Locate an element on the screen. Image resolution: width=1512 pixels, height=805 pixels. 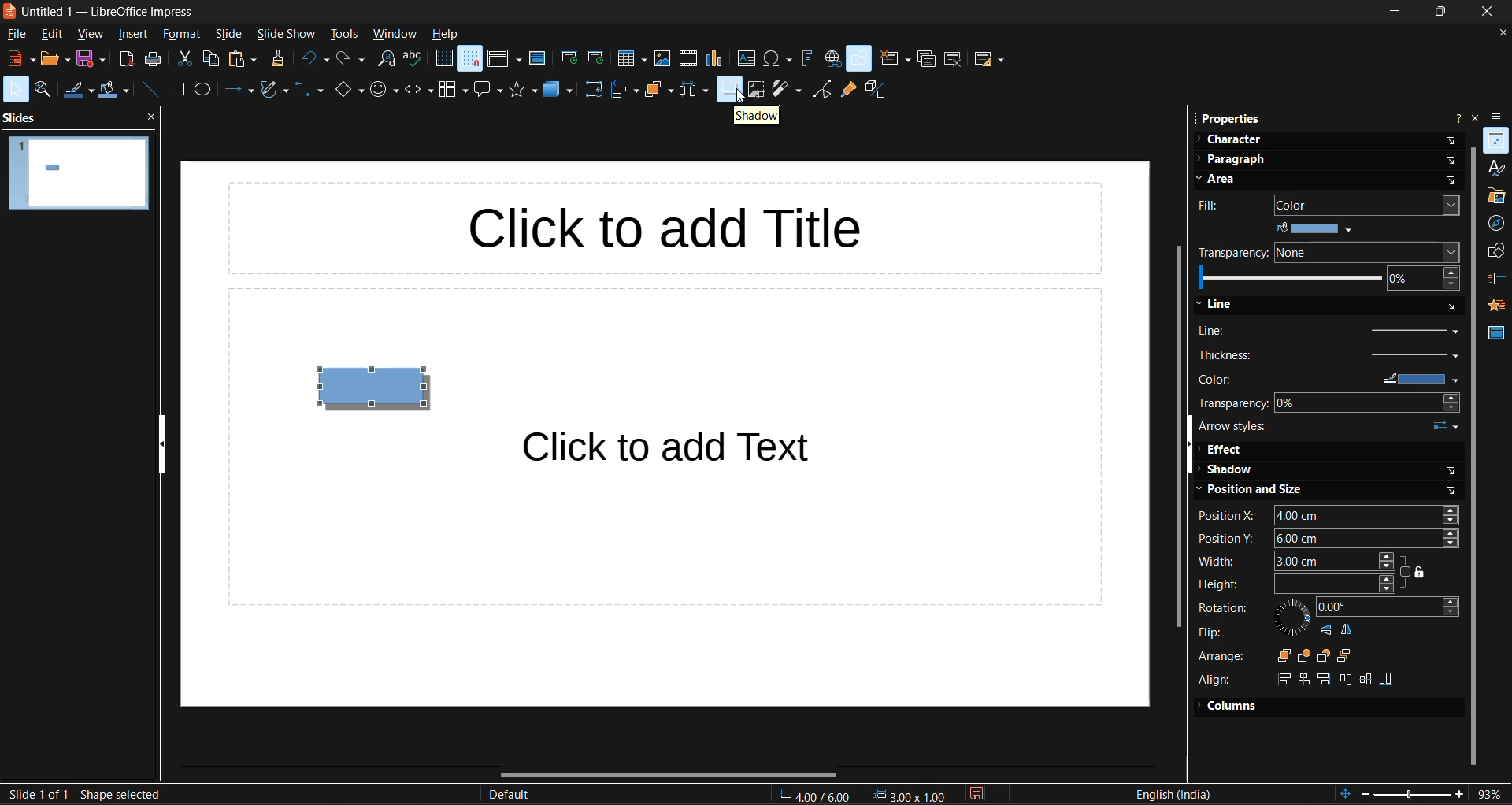
shapes is located at coordinates (1495, 251).